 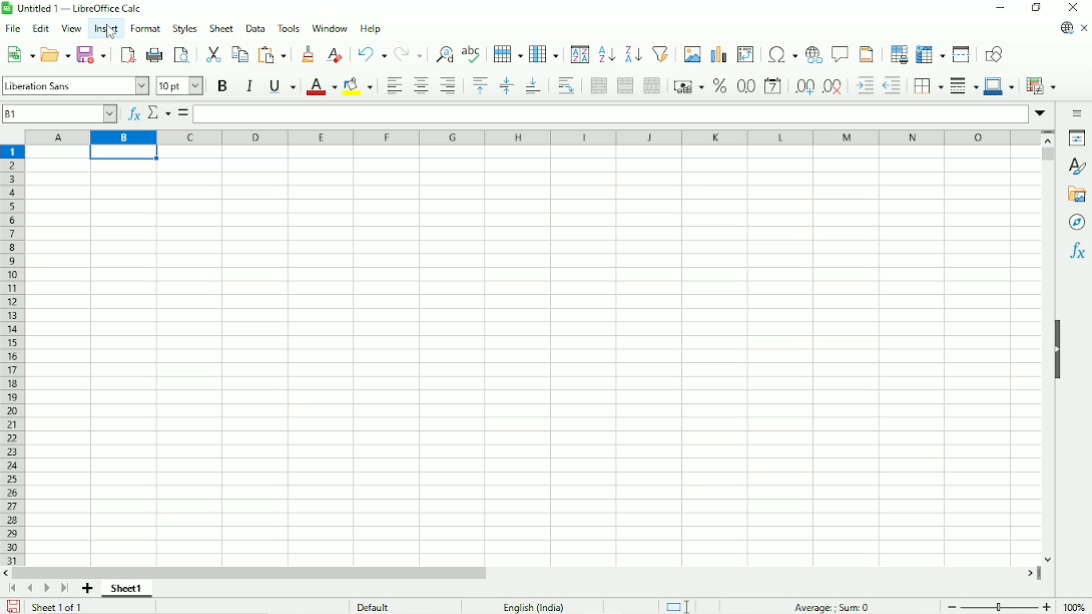 I want to click on Save, so click(x=13, y=606).